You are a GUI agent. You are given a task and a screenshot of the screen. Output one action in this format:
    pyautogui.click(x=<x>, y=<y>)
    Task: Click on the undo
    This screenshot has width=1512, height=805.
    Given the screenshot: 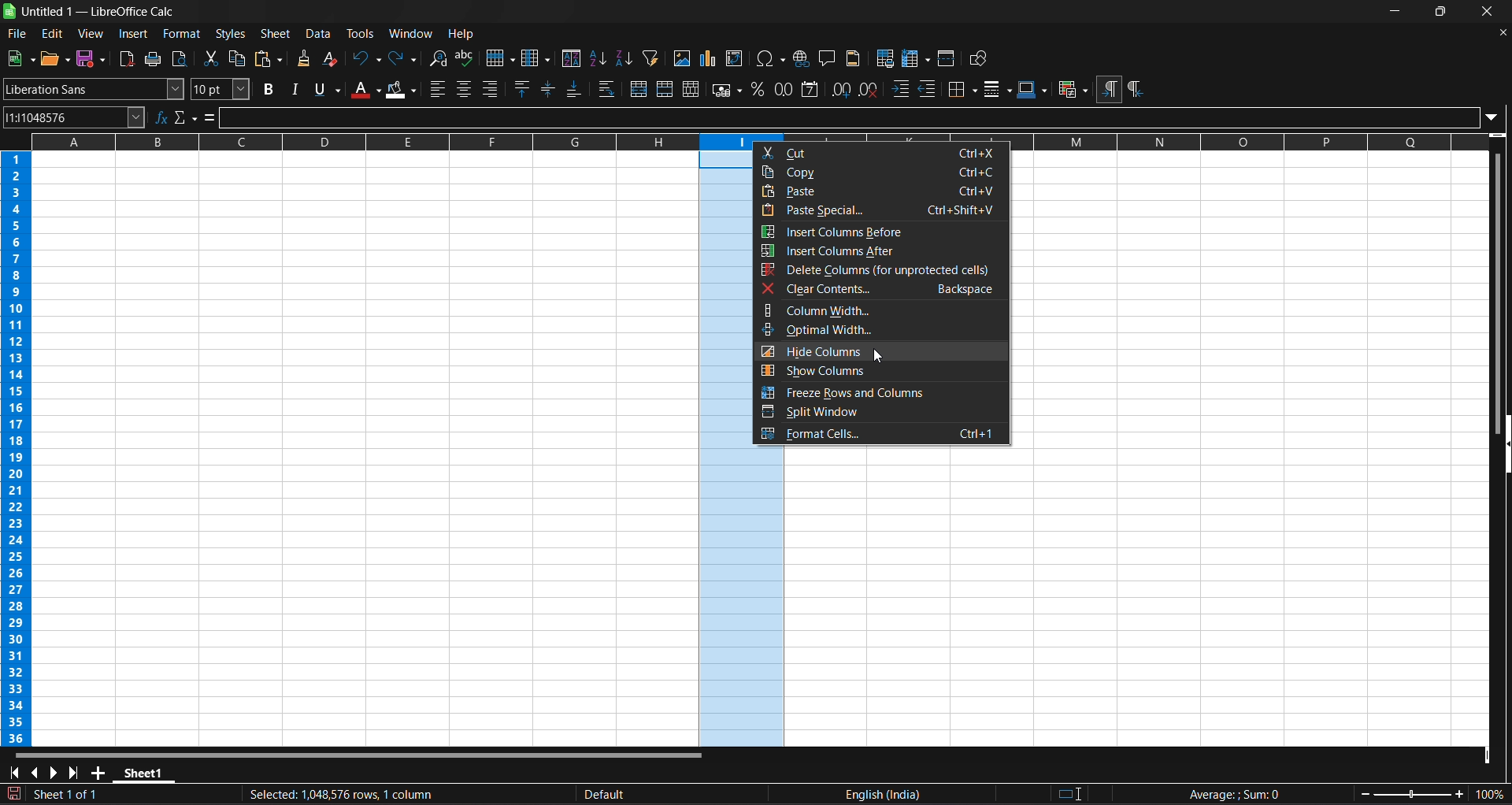 What is the action you would take?
    pyautogui.click(x=366, y=58)
    